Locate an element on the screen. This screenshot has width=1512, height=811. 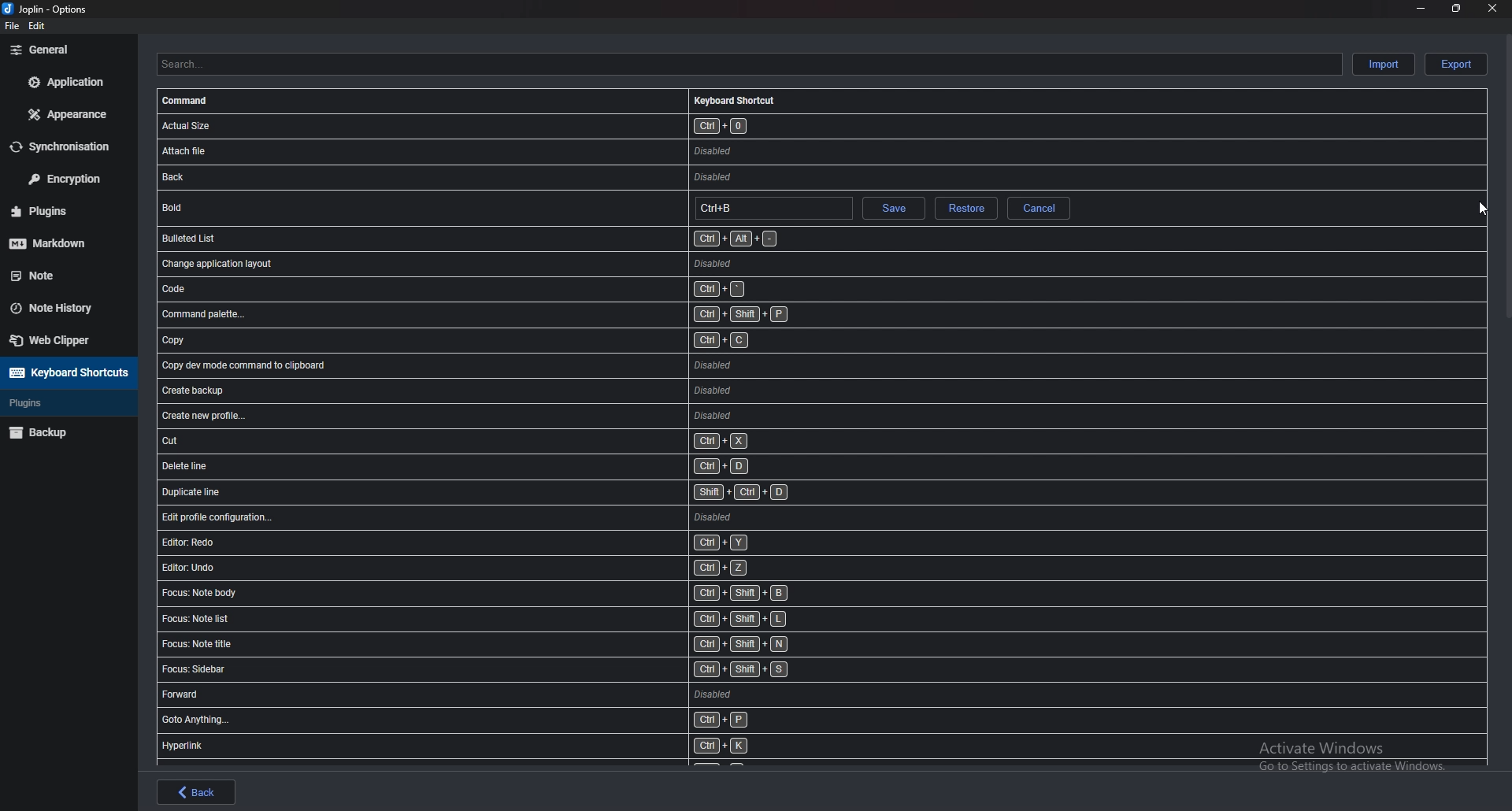
shortcut is located at coordinates (476, 238).